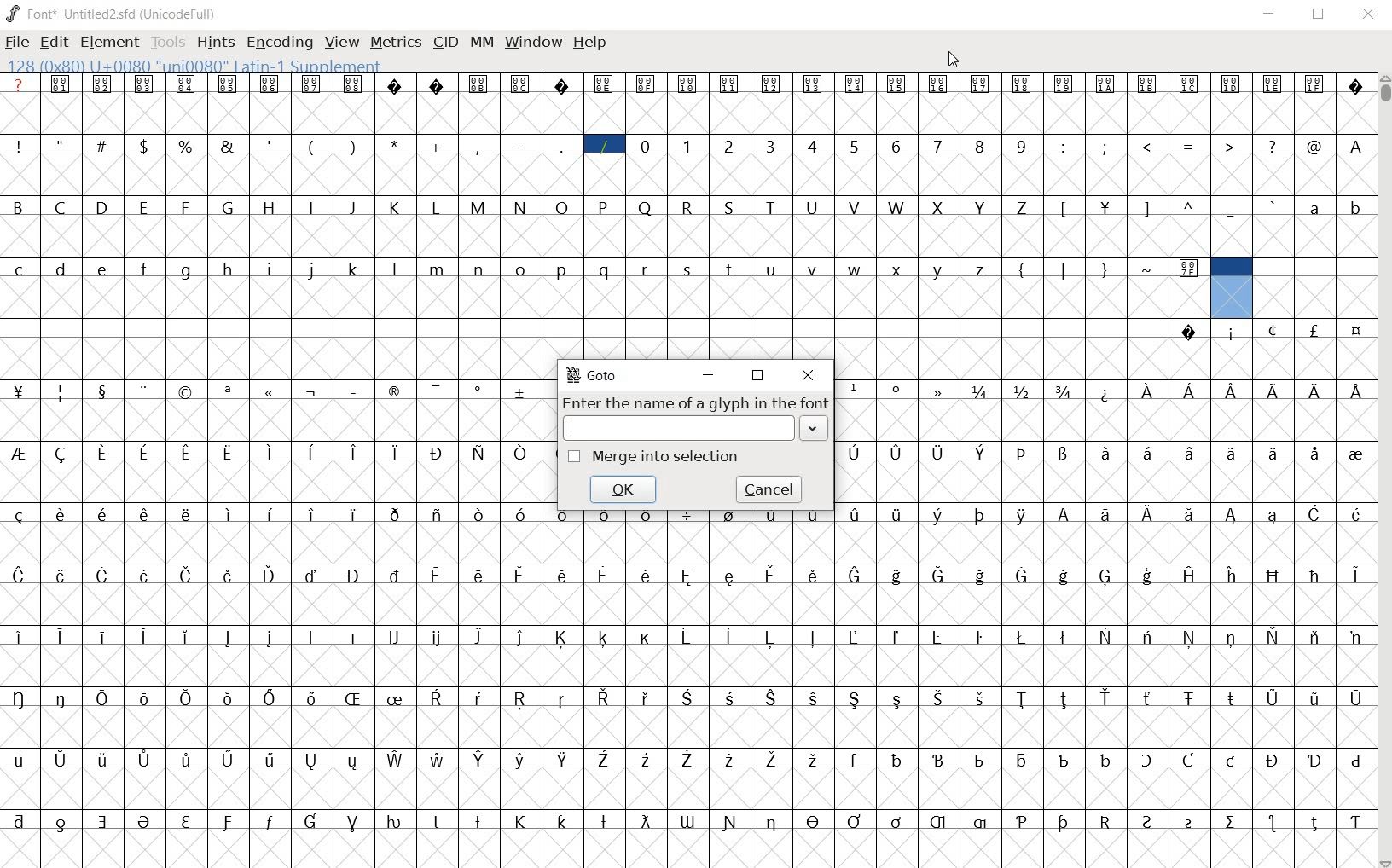 The image size is (1392, 868). I want to click on Symbol, so click(479, 83).